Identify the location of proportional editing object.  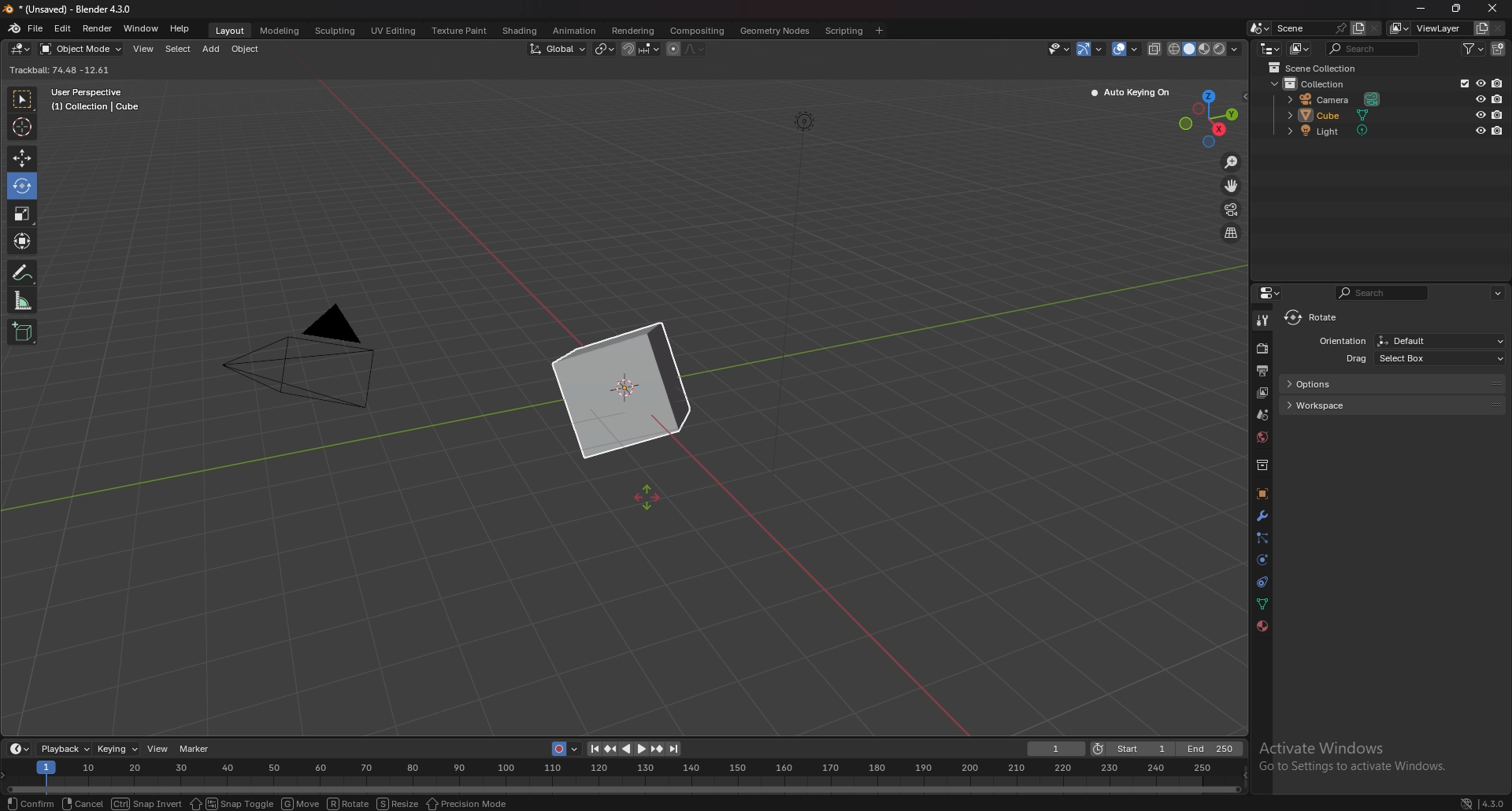
(673, 50).